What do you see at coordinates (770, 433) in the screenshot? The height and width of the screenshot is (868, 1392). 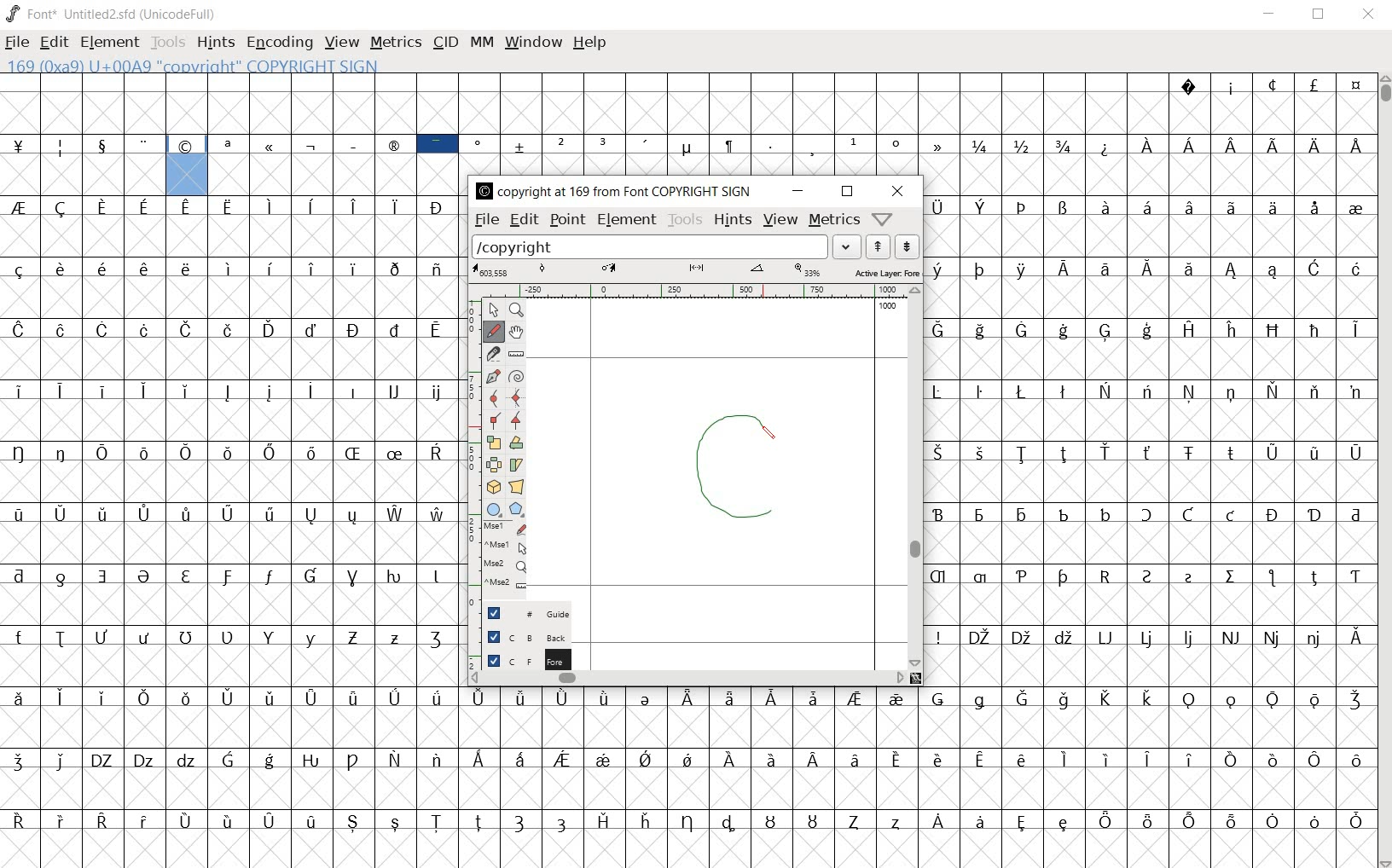 I see `pencil tool/CURSOR LOCATION` at bounding box center [770, 433].